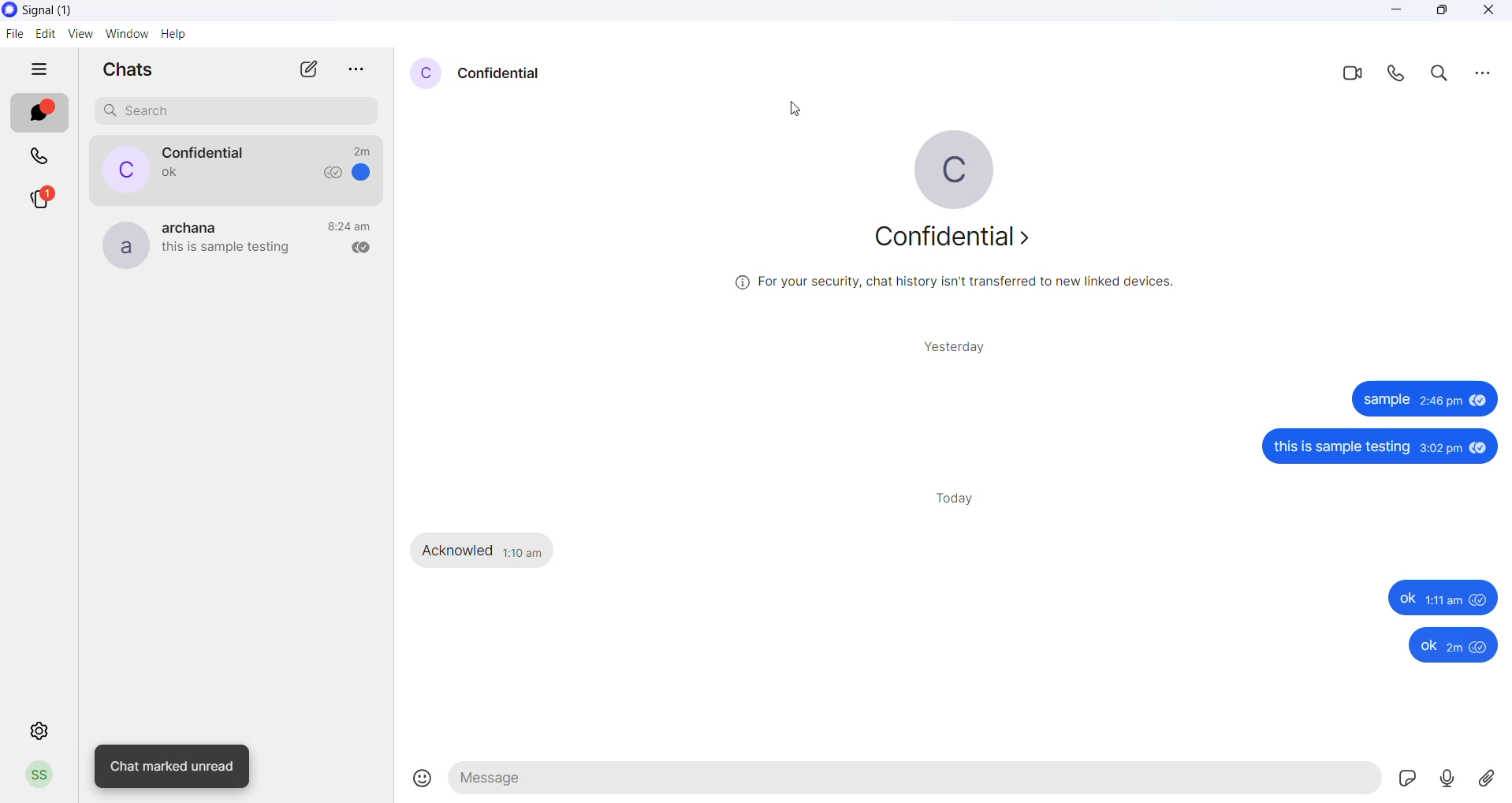 The width and height of the screenshot is (1512, 803). I want to click on search chat, so click(239, 111).